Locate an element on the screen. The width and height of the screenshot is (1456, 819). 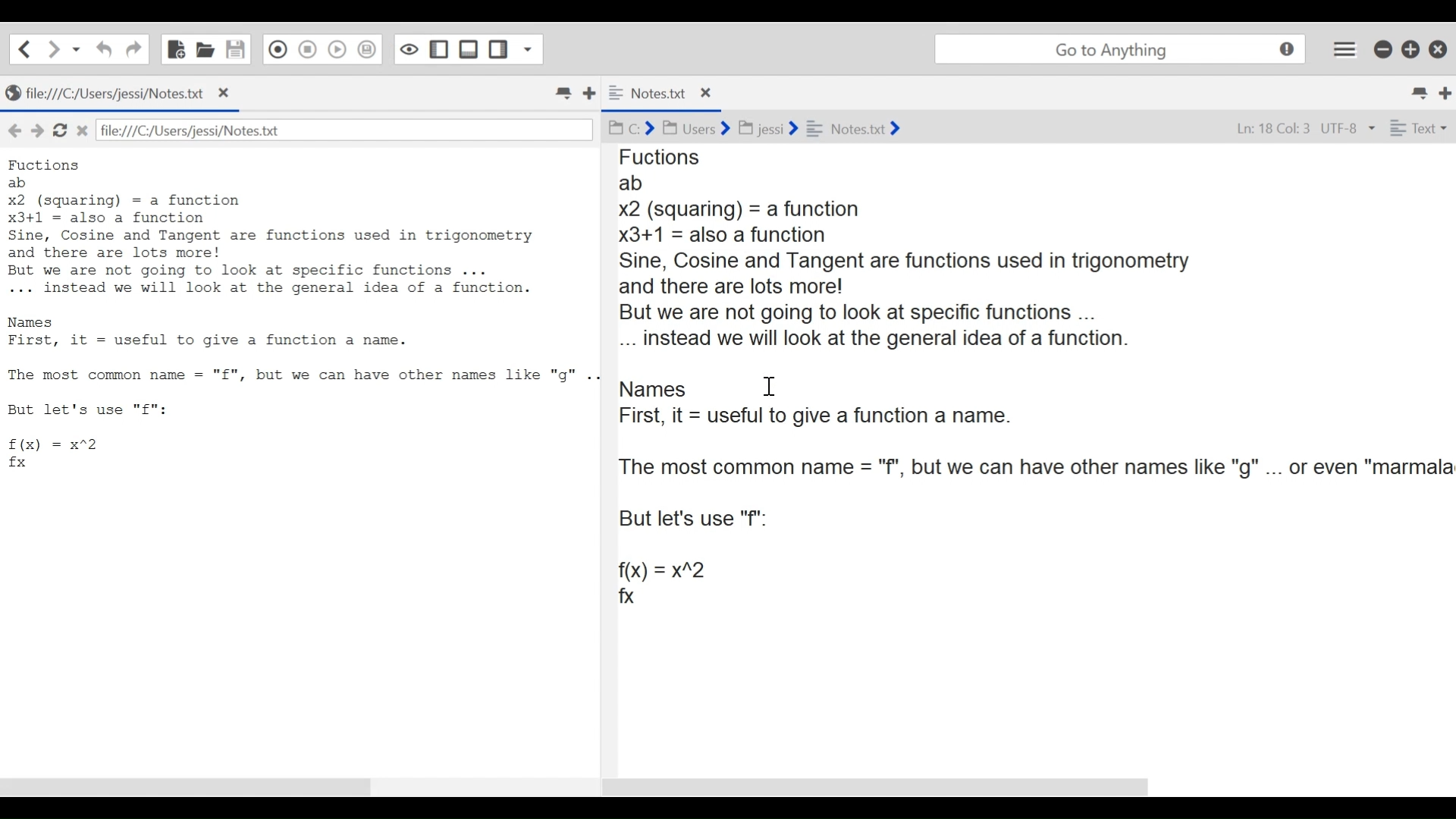
close  is located at coordinates (85, 132).